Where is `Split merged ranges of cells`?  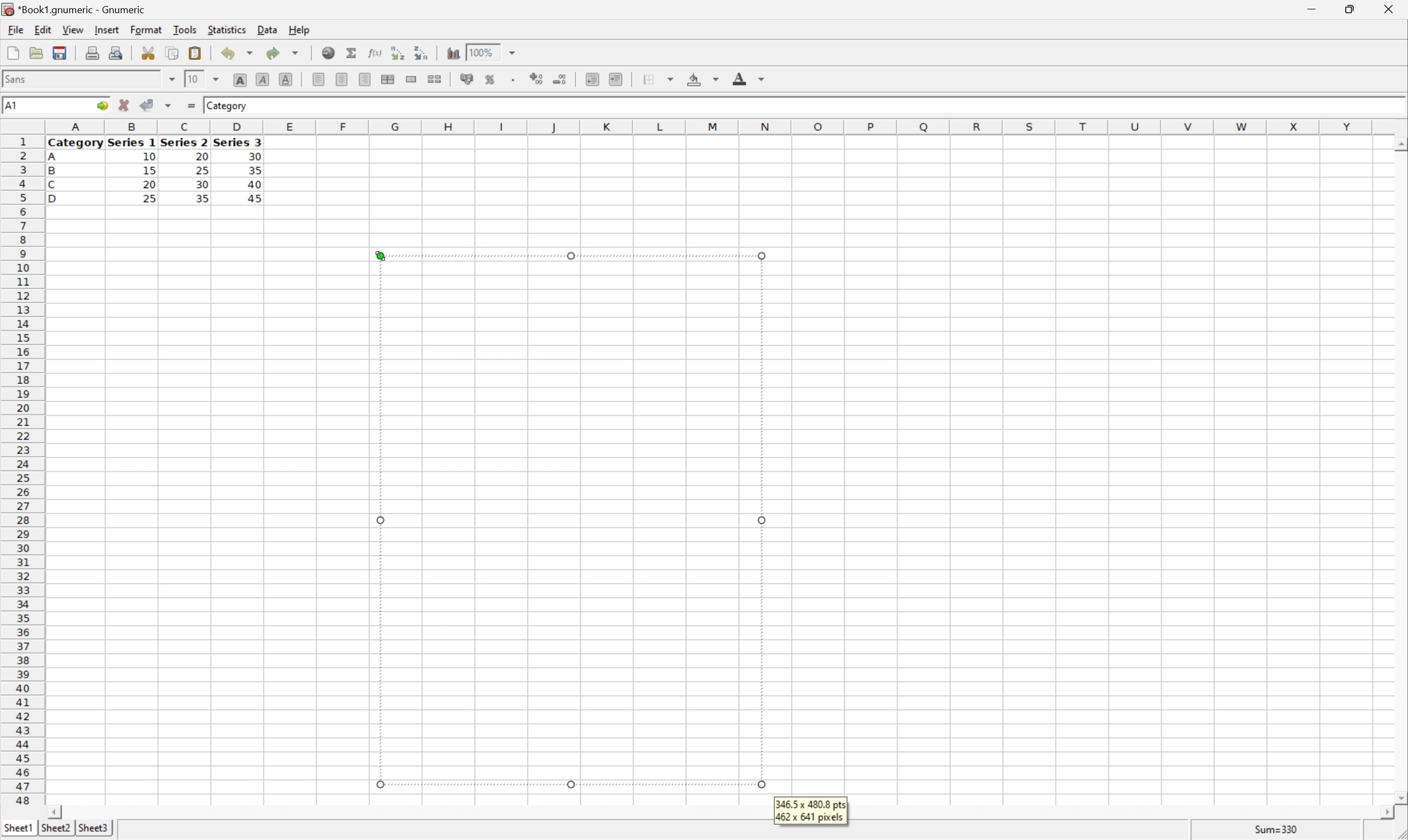
Split merged ranges of cells is located at coordinates (434, 80).